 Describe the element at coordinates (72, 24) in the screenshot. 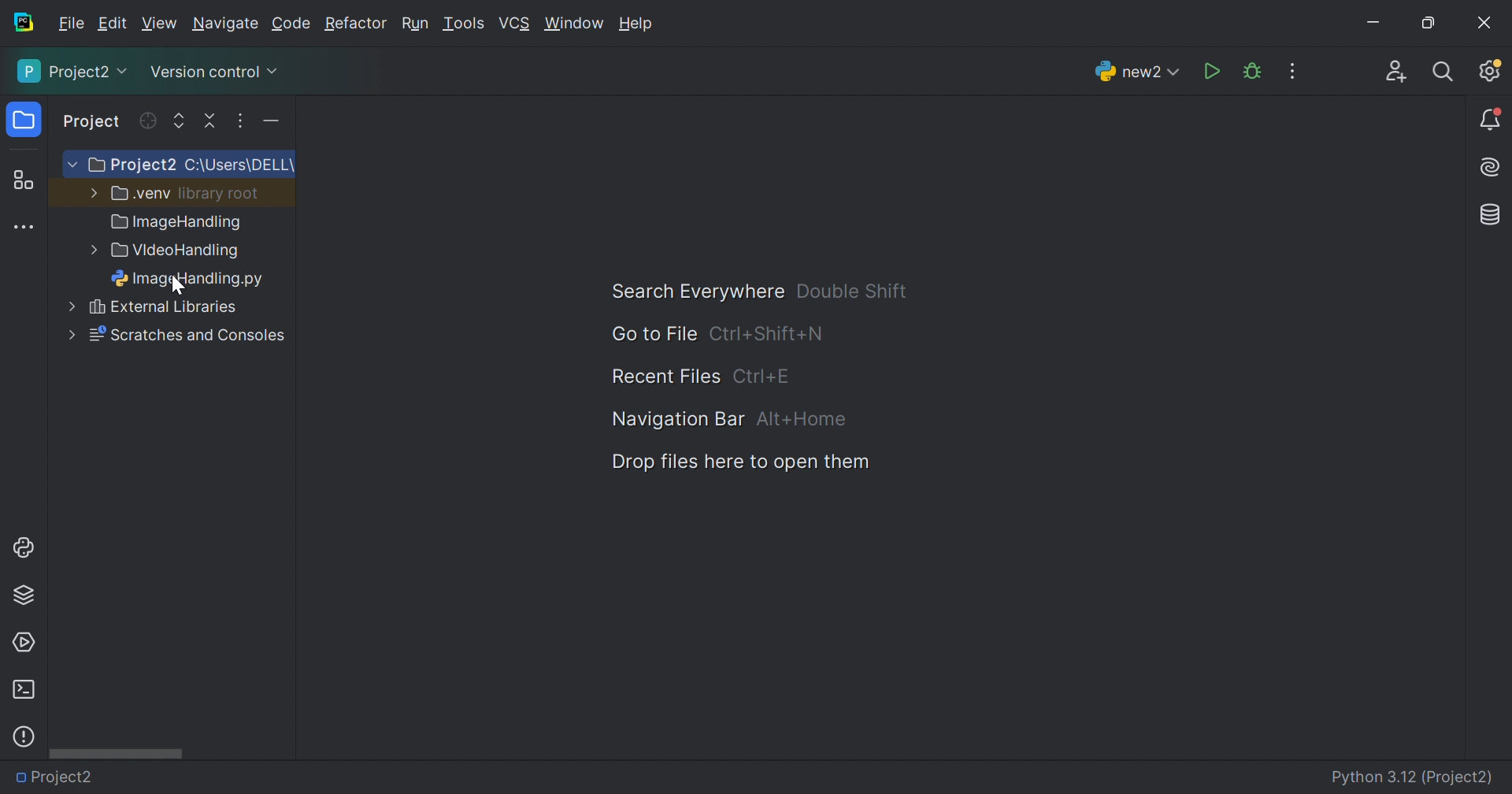

I see `File` at that location.